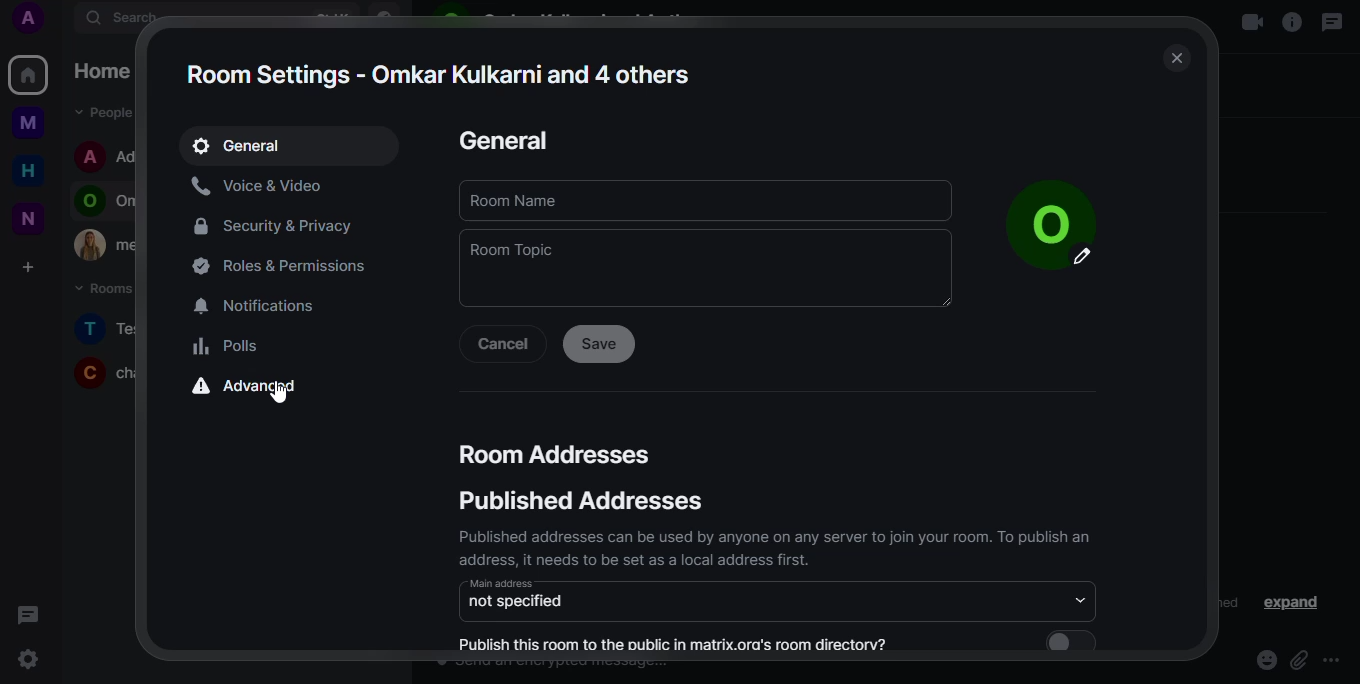 This screenshot has height=684, width=1360. What do you see at coordinates (36, 268) in the screenshot?
I see `add space` at bounding box center [36, 268].